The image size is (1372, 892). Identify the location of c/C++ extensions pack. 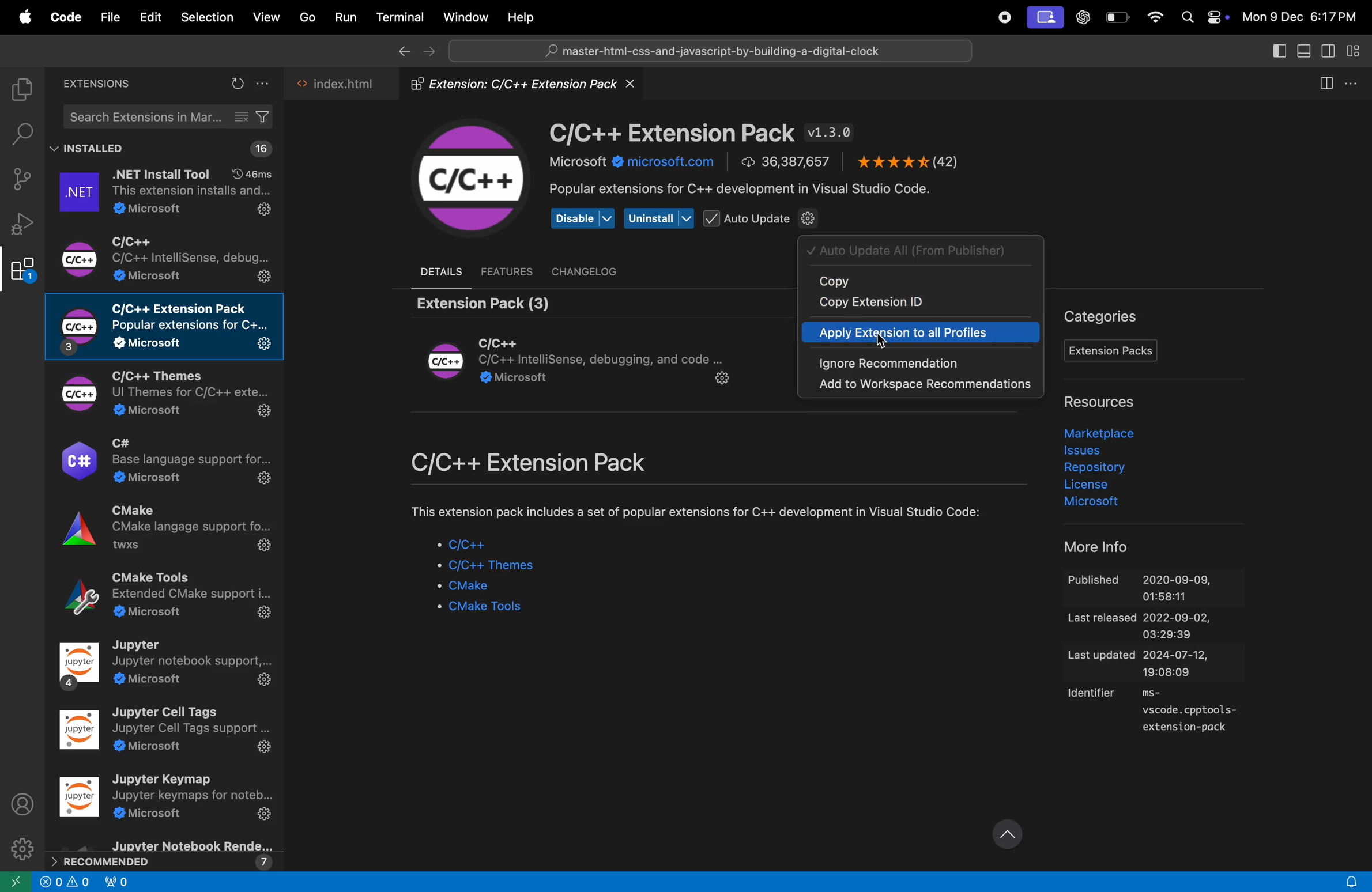
(166, 327).